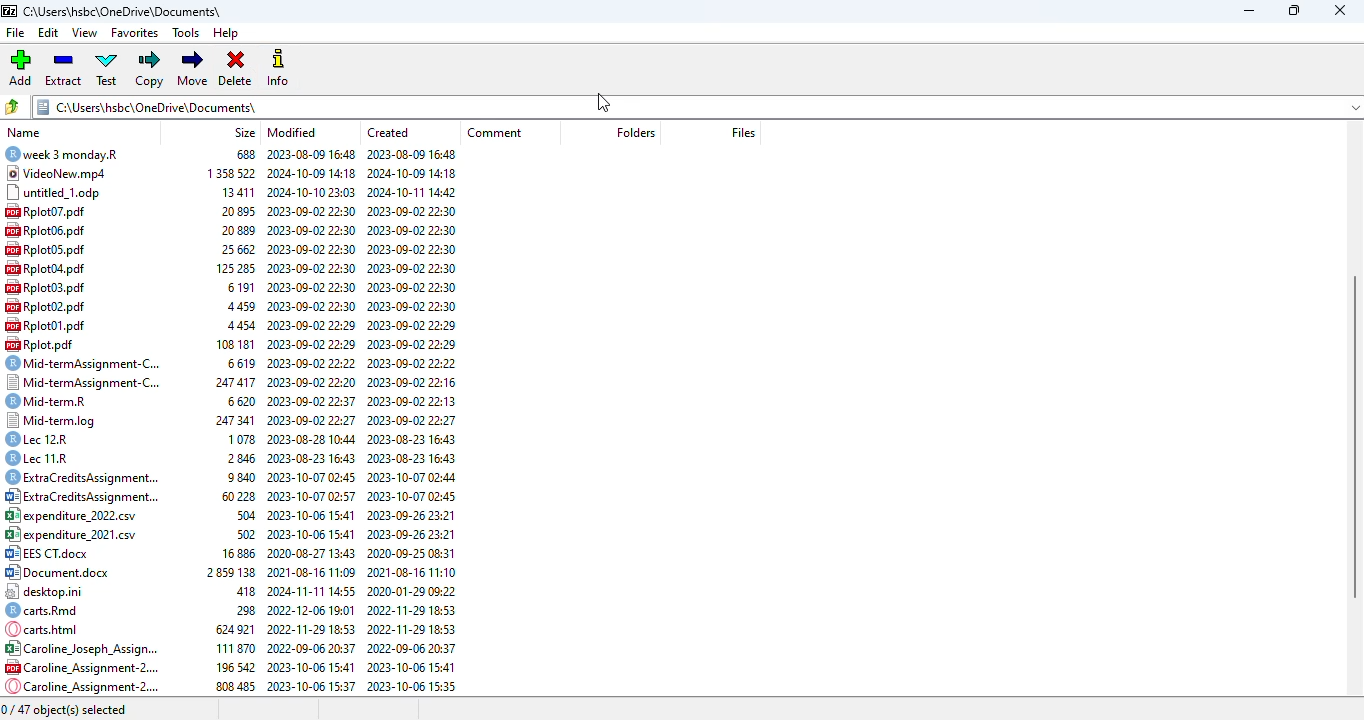 Image resolution: width=1364 pixels, height=720 pixels. I want to click on add, so click(20, 68).